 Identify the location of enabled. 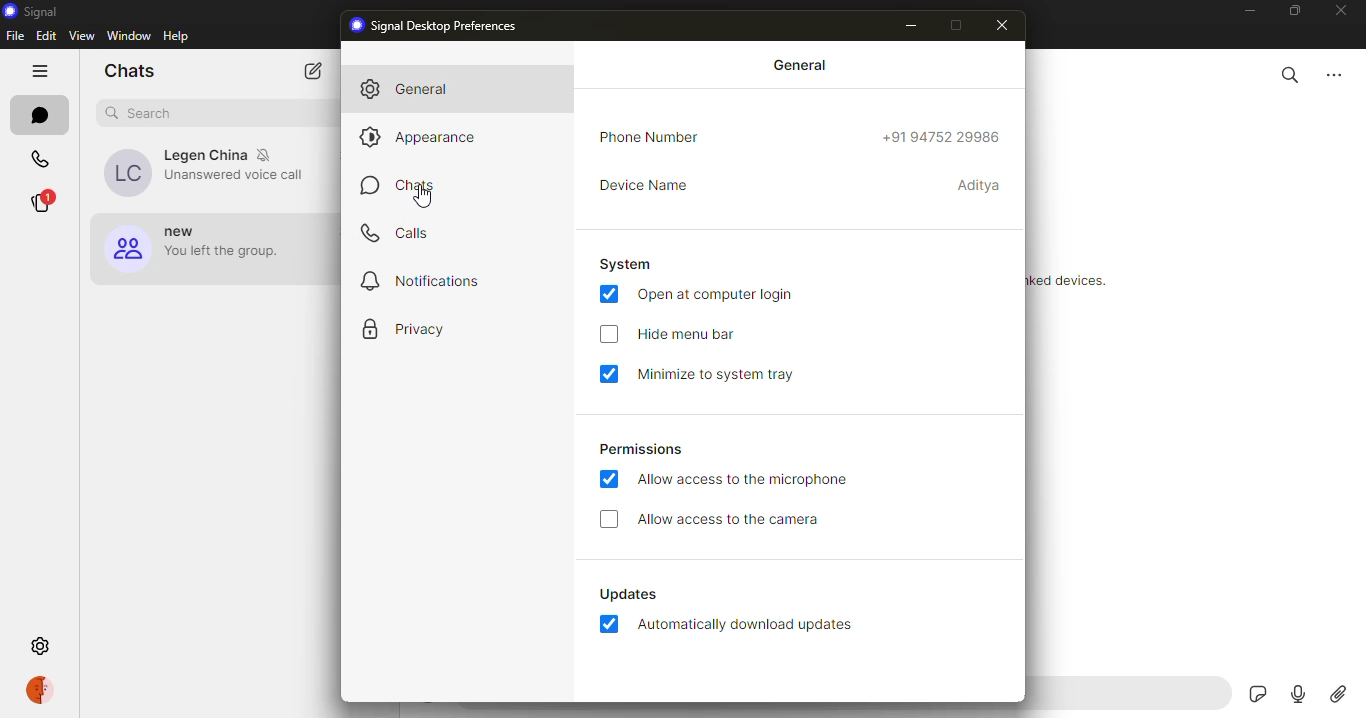
(607, 294).